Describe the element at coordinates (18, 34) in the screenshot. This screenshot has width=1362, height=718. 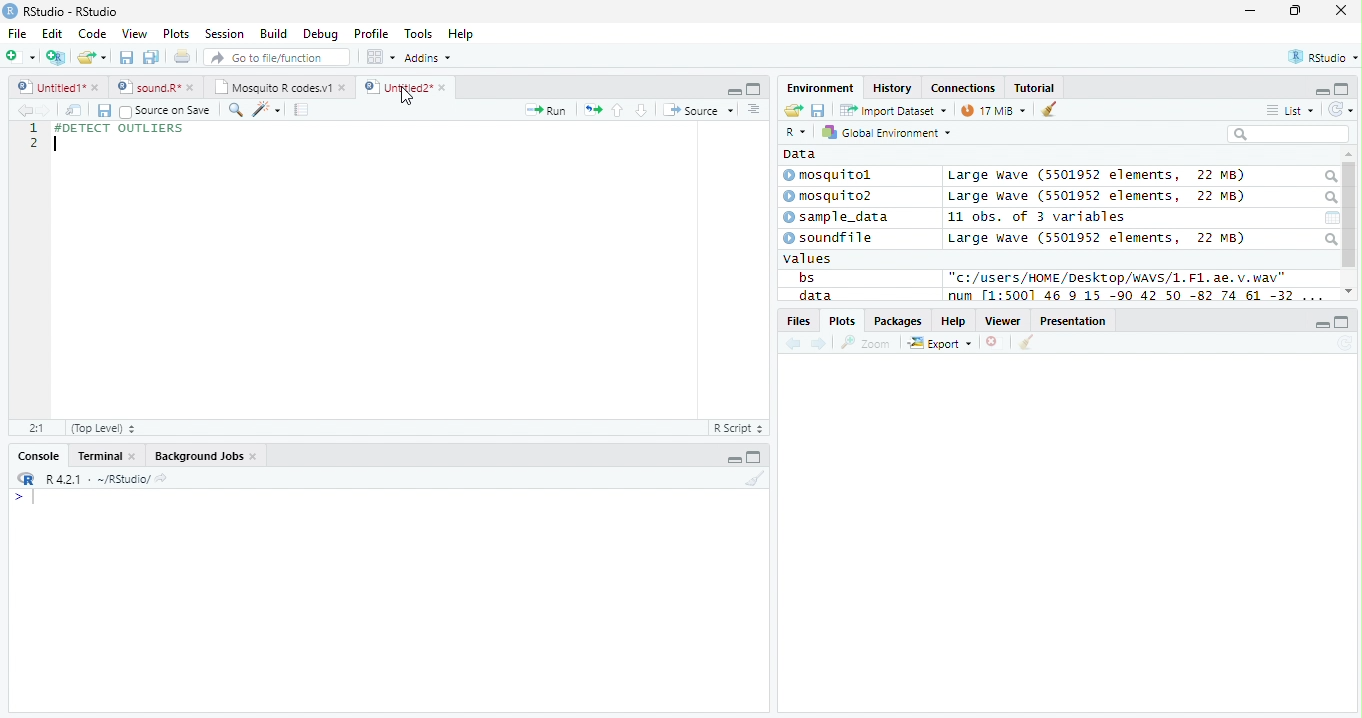
I see `File` at that location.